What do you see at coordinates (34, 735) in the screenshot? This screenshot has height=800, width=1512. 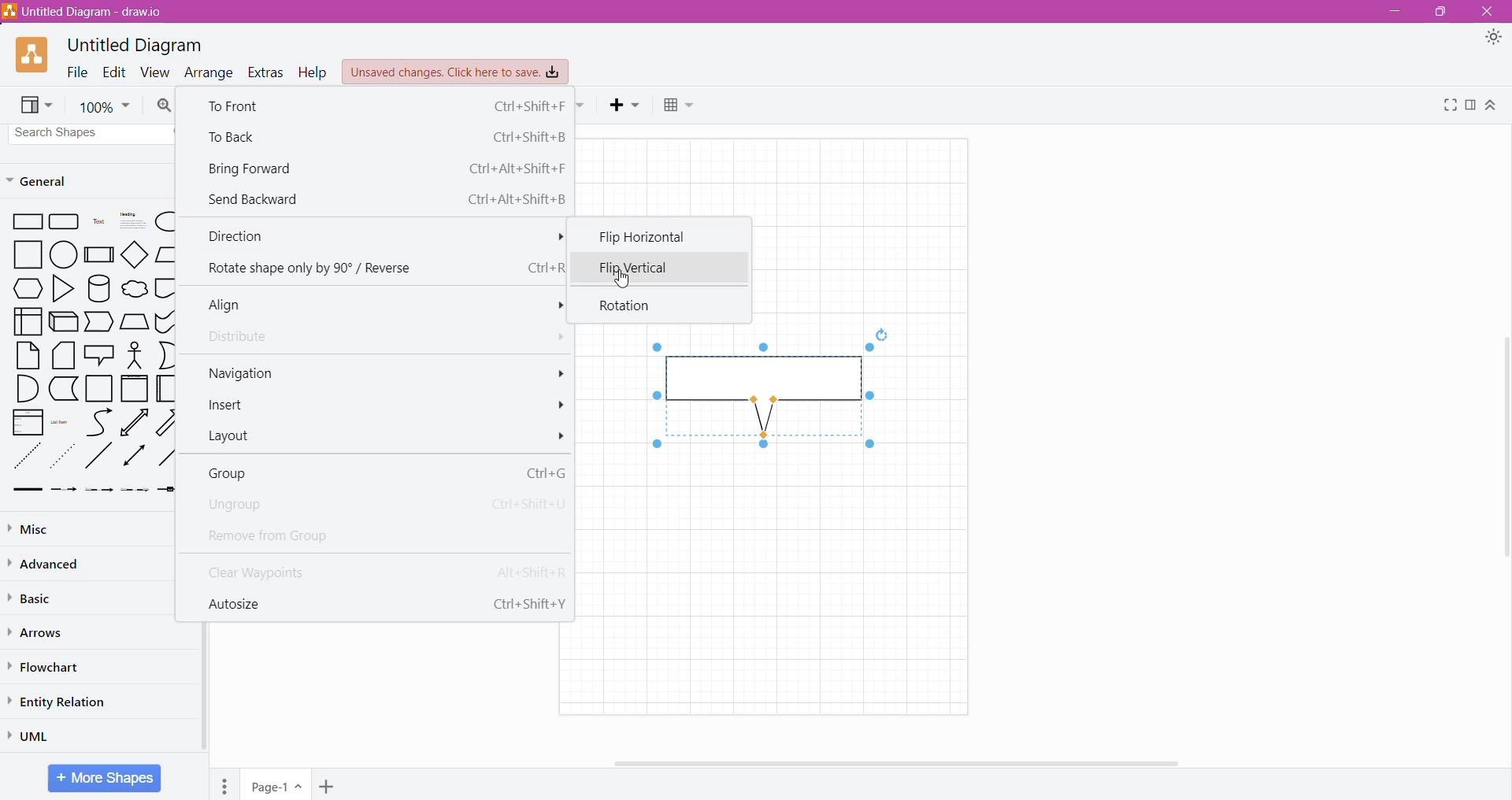 I see `UM` at bounding box center [34, 735].